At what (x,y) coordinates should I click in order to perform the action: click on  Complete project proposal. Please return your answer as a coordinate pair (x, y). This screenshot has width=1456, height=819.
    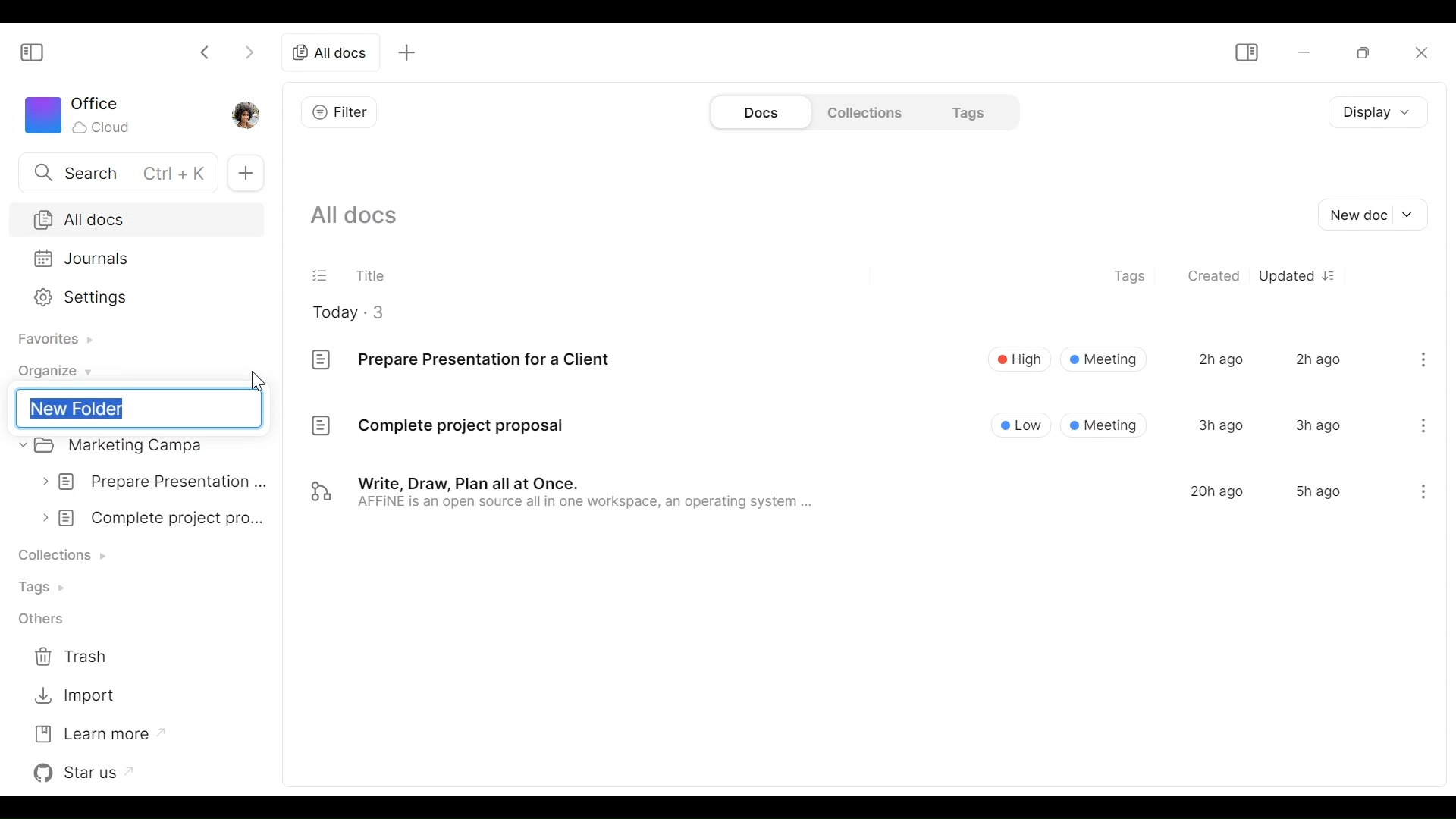
    Looking at the image, I should click on (437, 428).